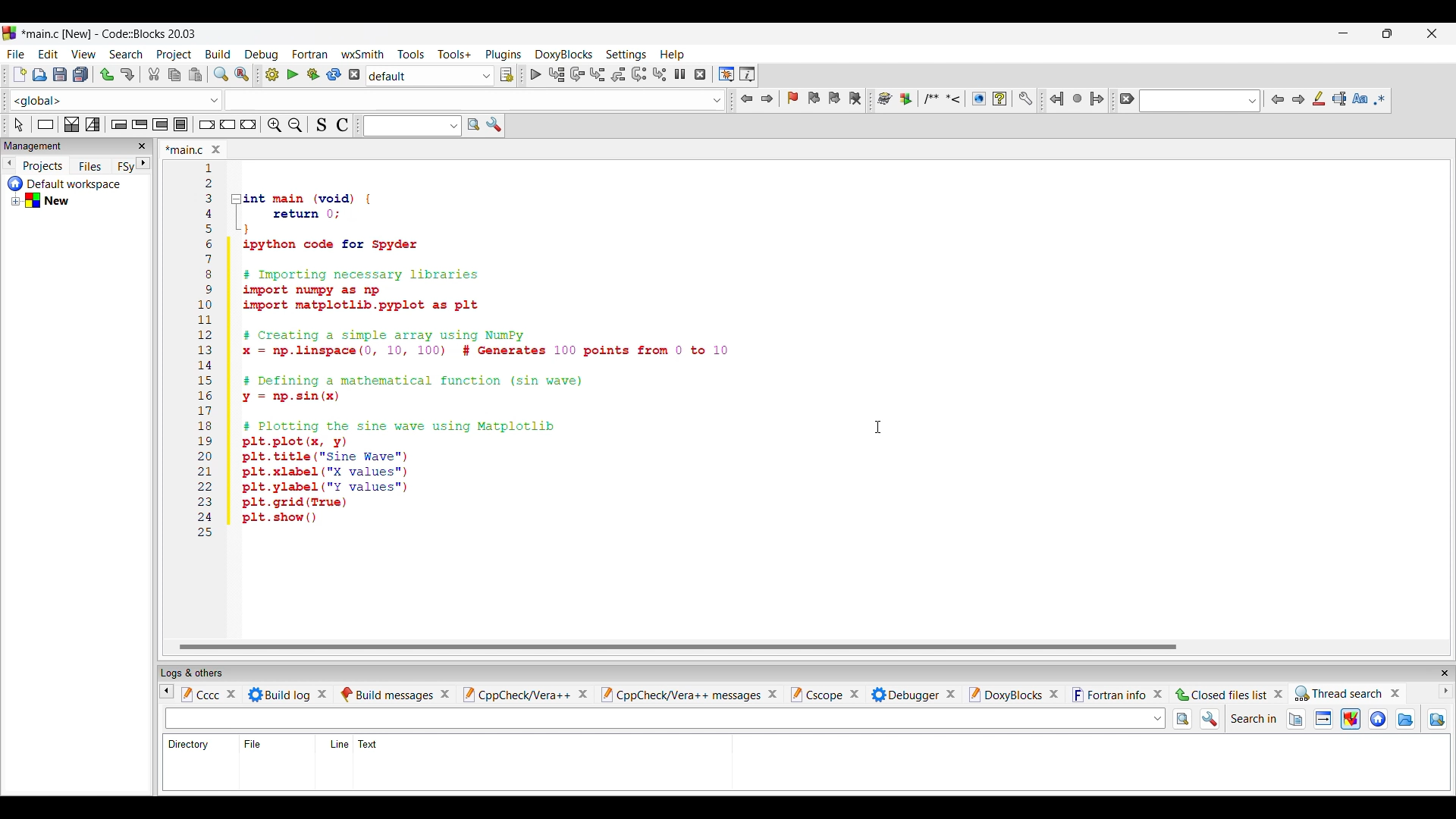 The height and width of the screenshot is (819, 1456). I want to click on jump back, so click(745, 99).